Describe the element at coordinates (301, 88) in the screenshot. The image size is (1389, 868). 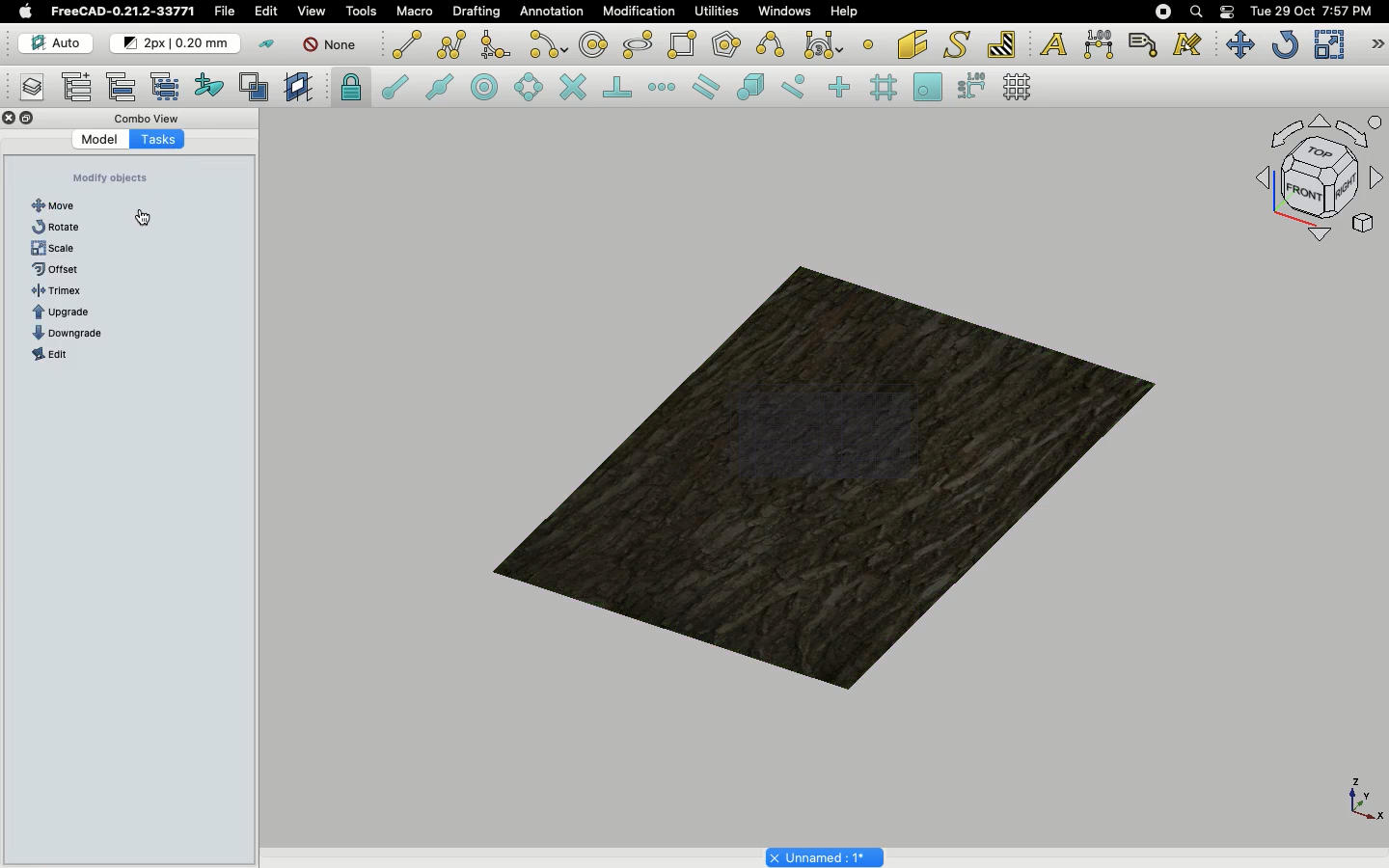
I see `Create working plane proxy` at that location.